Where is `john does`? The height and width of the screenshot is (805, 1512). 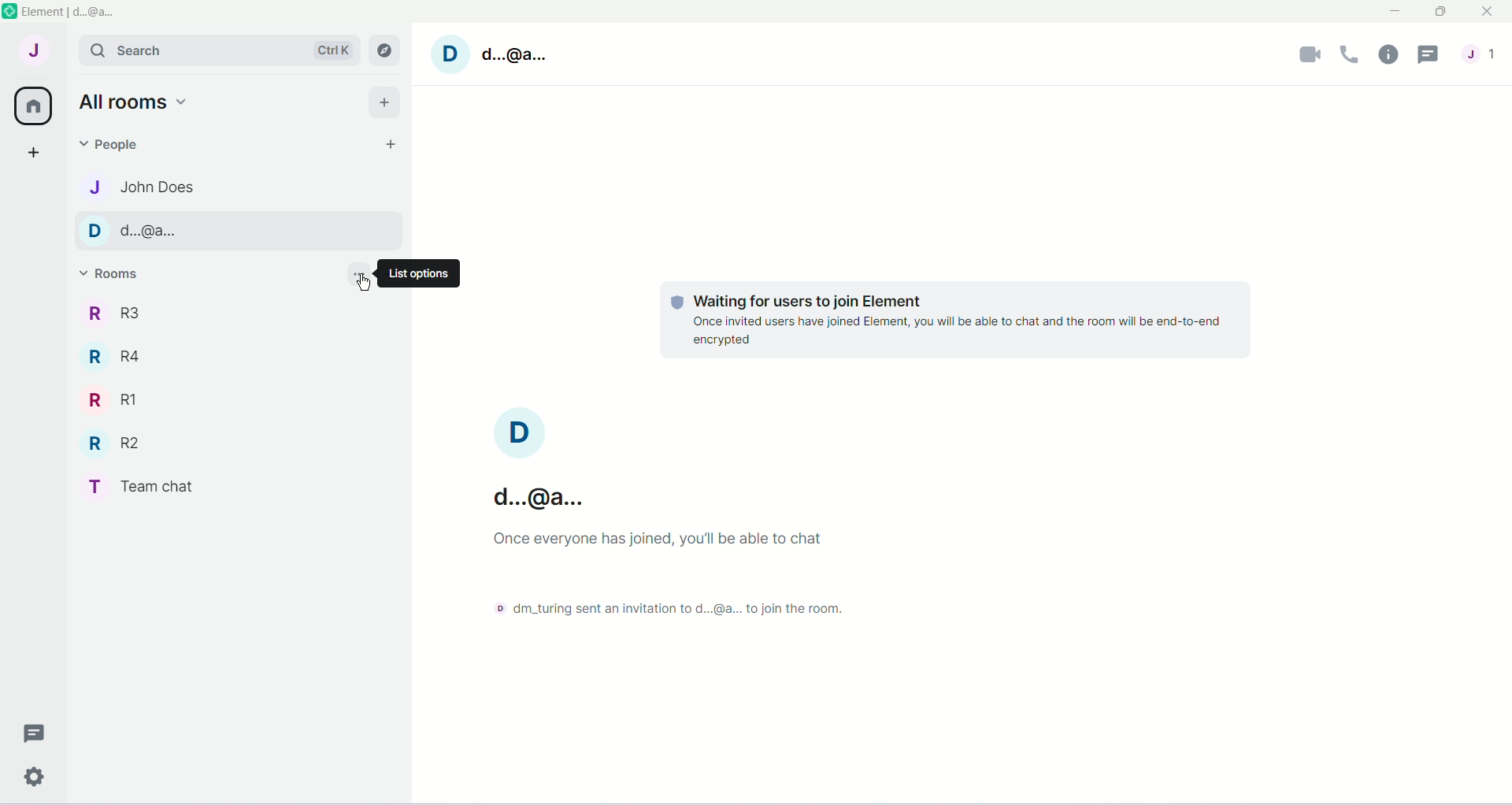
john does is located at coordinates (154, 189).